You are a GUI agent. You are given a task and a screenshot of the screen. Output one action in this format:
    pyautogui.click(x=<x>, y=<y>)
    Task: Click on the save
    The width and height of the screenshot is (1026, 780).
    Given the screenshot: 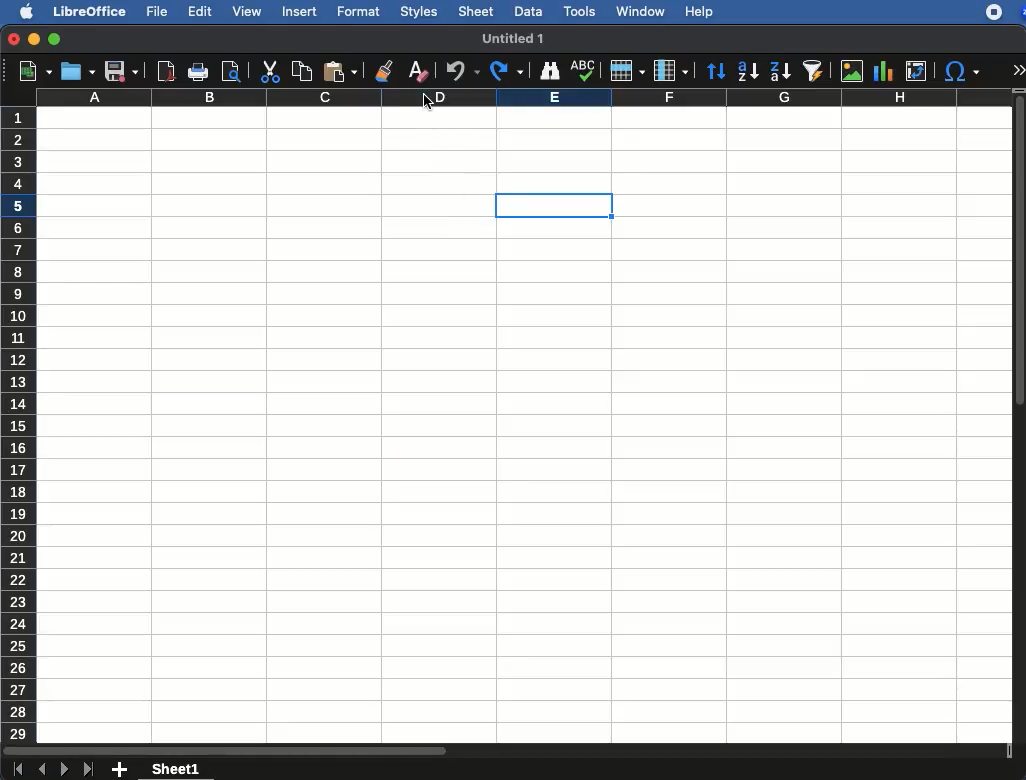 What is the action you would take?
    pyautogui.click(x=120, y=72)
    